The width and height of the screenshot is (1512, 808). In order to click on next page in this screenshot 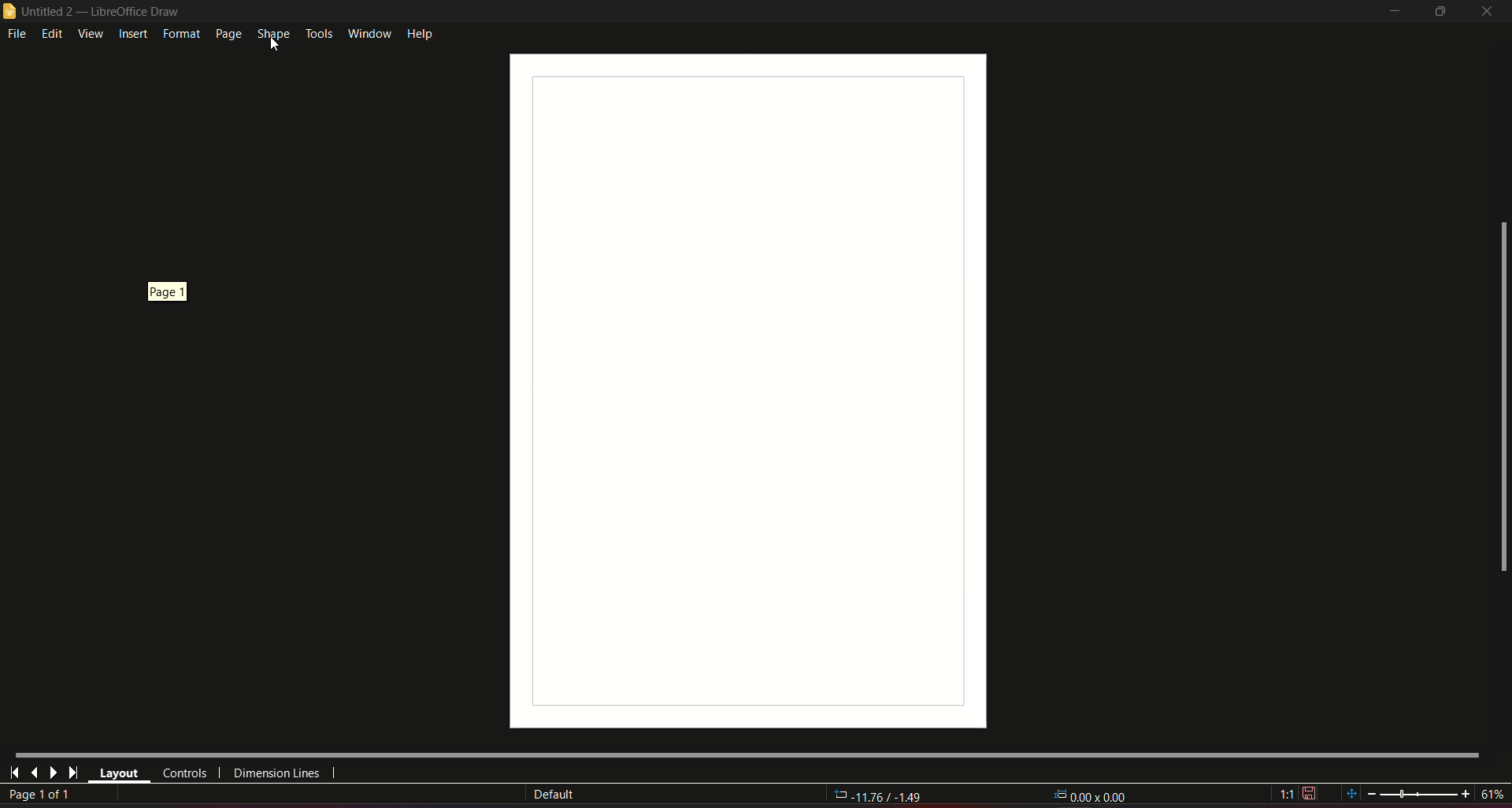, I will do `click(53, 773)`.